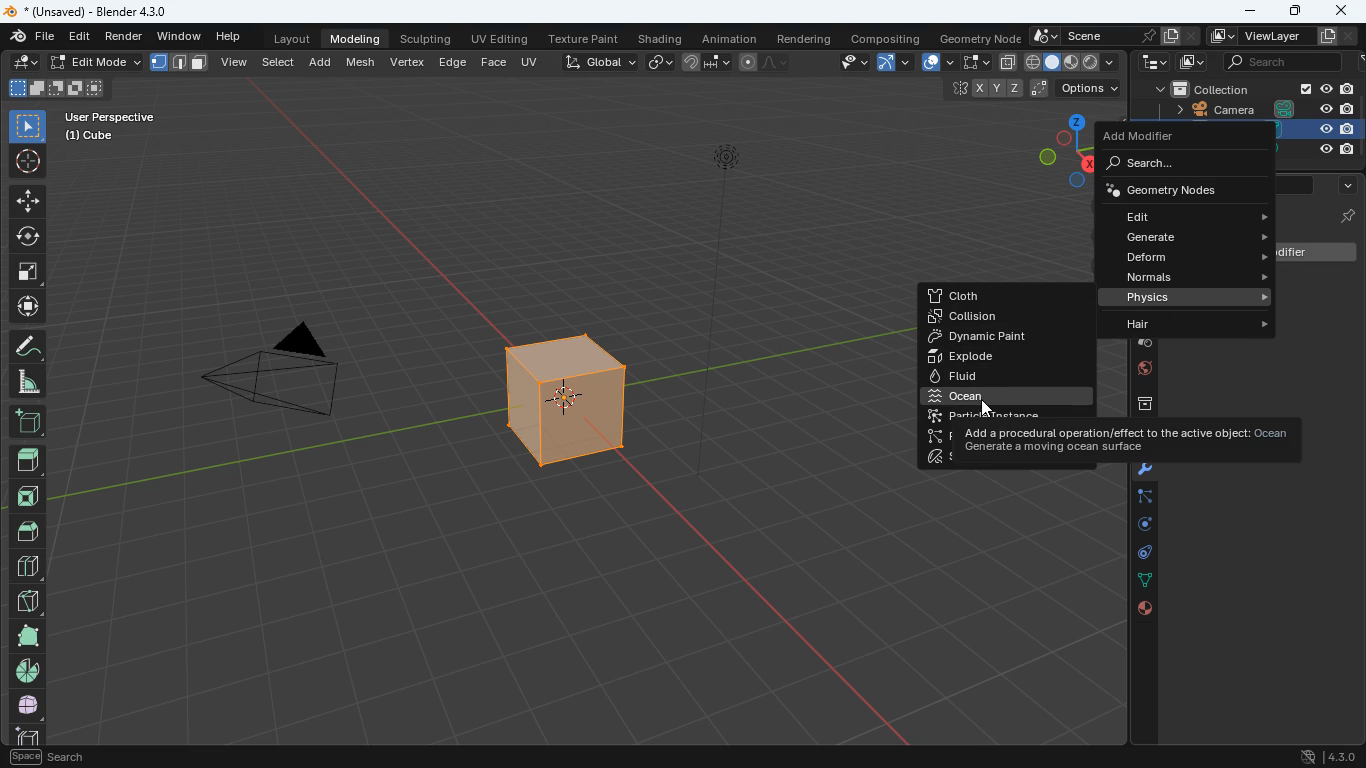 The height and width of the screenshot is (768, 1366). What do you see at coordinates (409, 63) in the screenshot?
I see `vertex` at bounding box center [409, 63].